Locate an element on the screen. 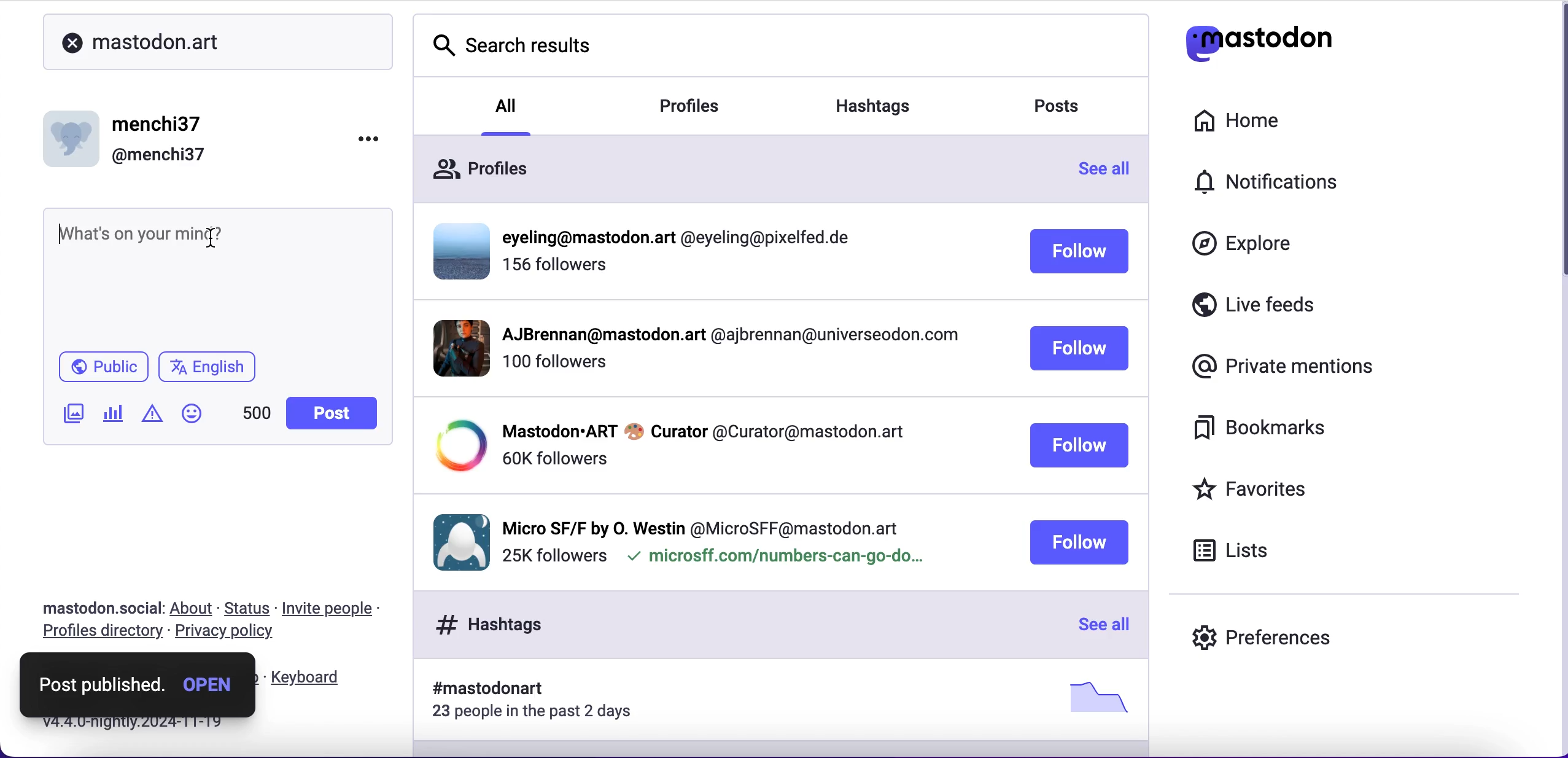  profiles directory is located at coordinates (98, 633).